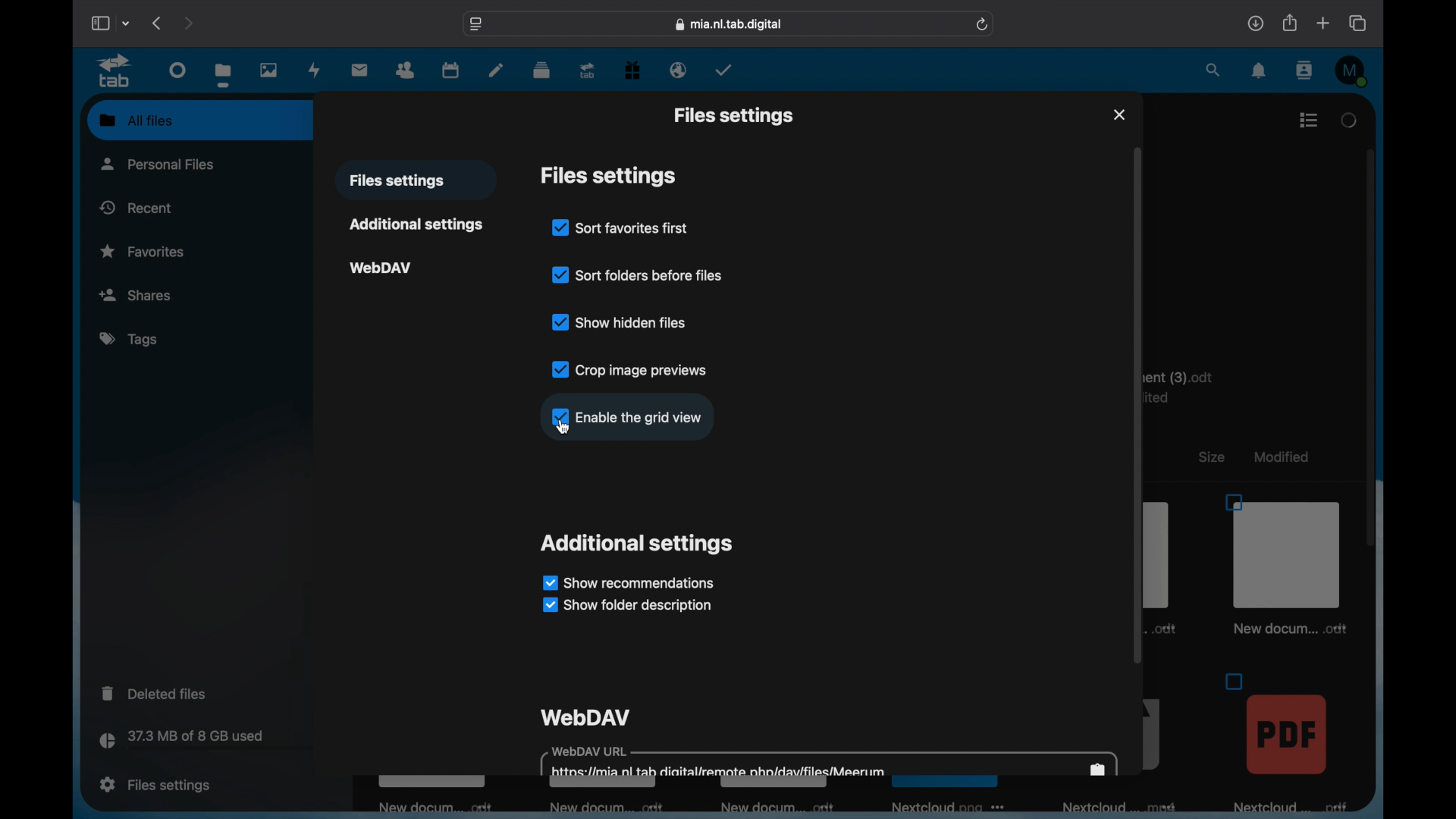 This screenshot has height=819, width=1456. Describe the element at coordinates (1122, 809) in the screenshot. I see `next cloud` at that location.